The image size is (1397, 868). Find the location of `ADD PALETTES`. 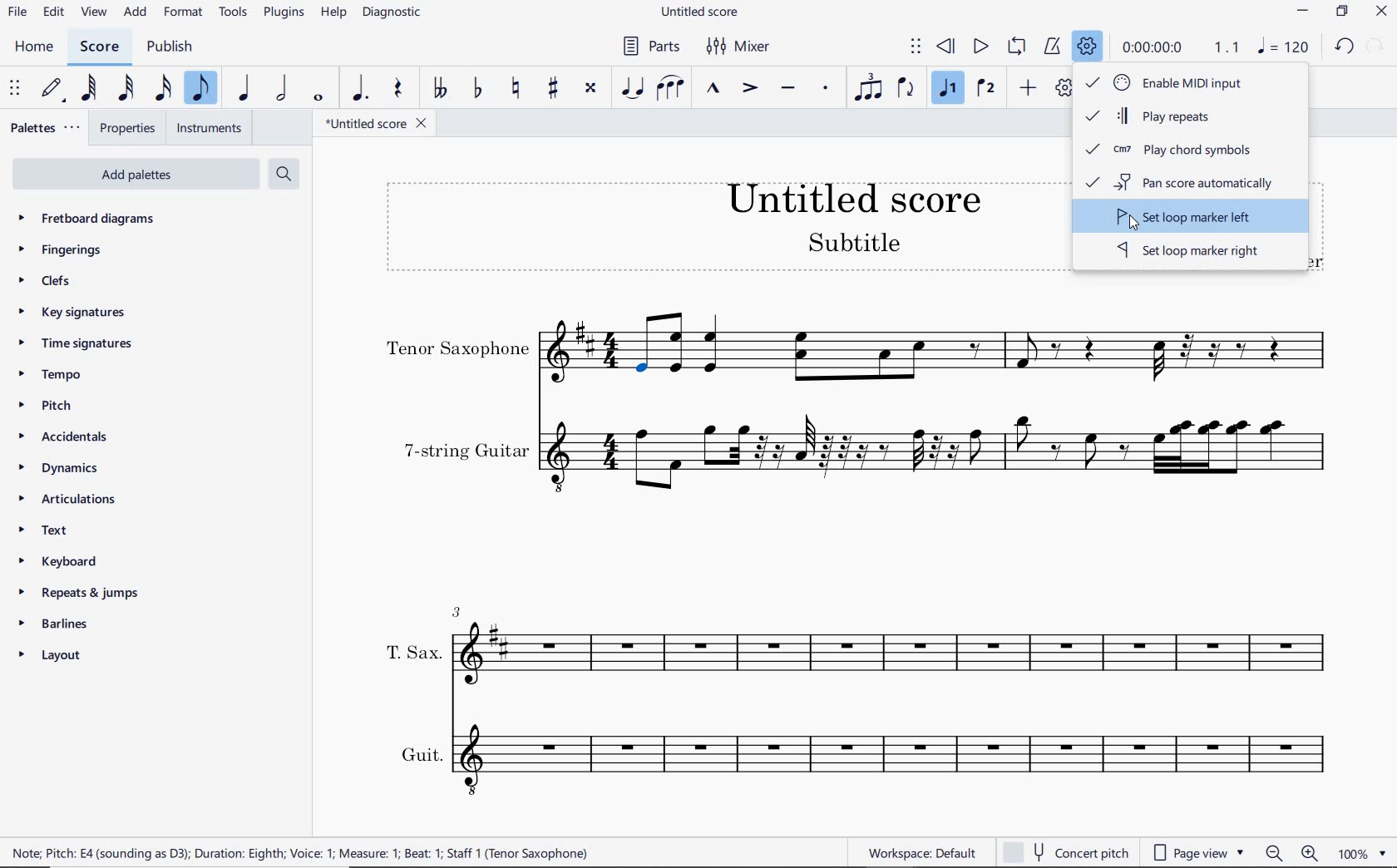

ADD PALETTES is located at coordinates (140, 175).